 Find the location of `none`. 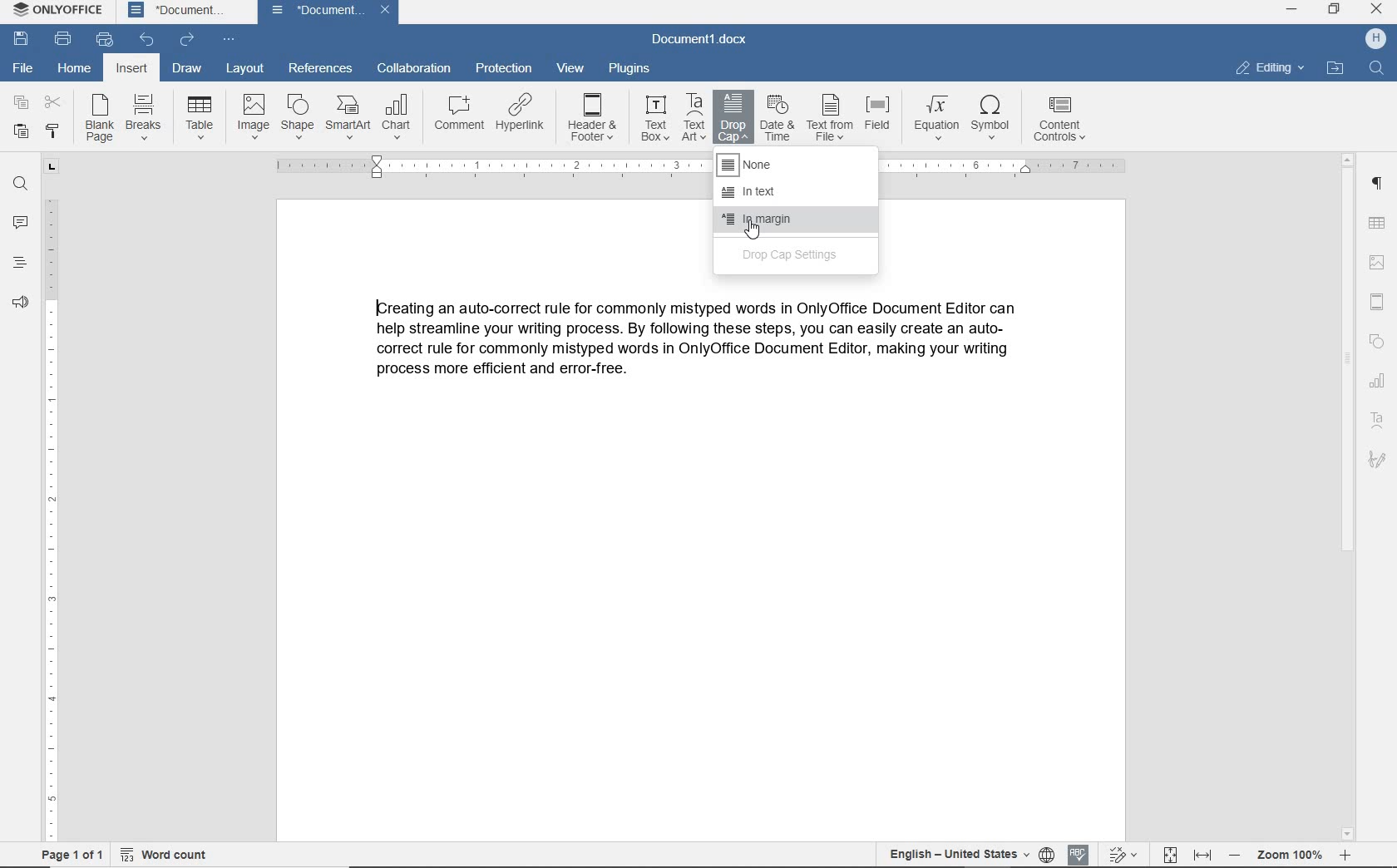

none is located at coordinates (795, 166).